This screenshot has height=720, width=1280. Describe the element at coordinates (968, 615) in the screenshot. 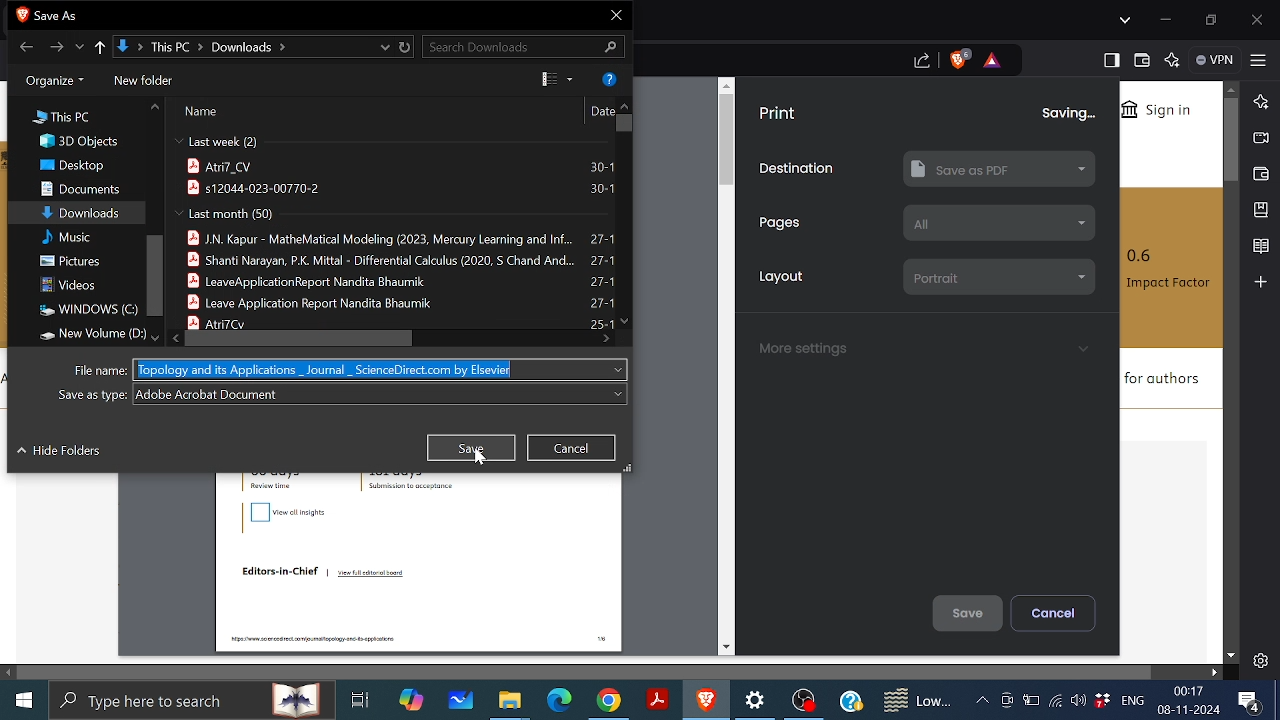

I see `Save` at that location.